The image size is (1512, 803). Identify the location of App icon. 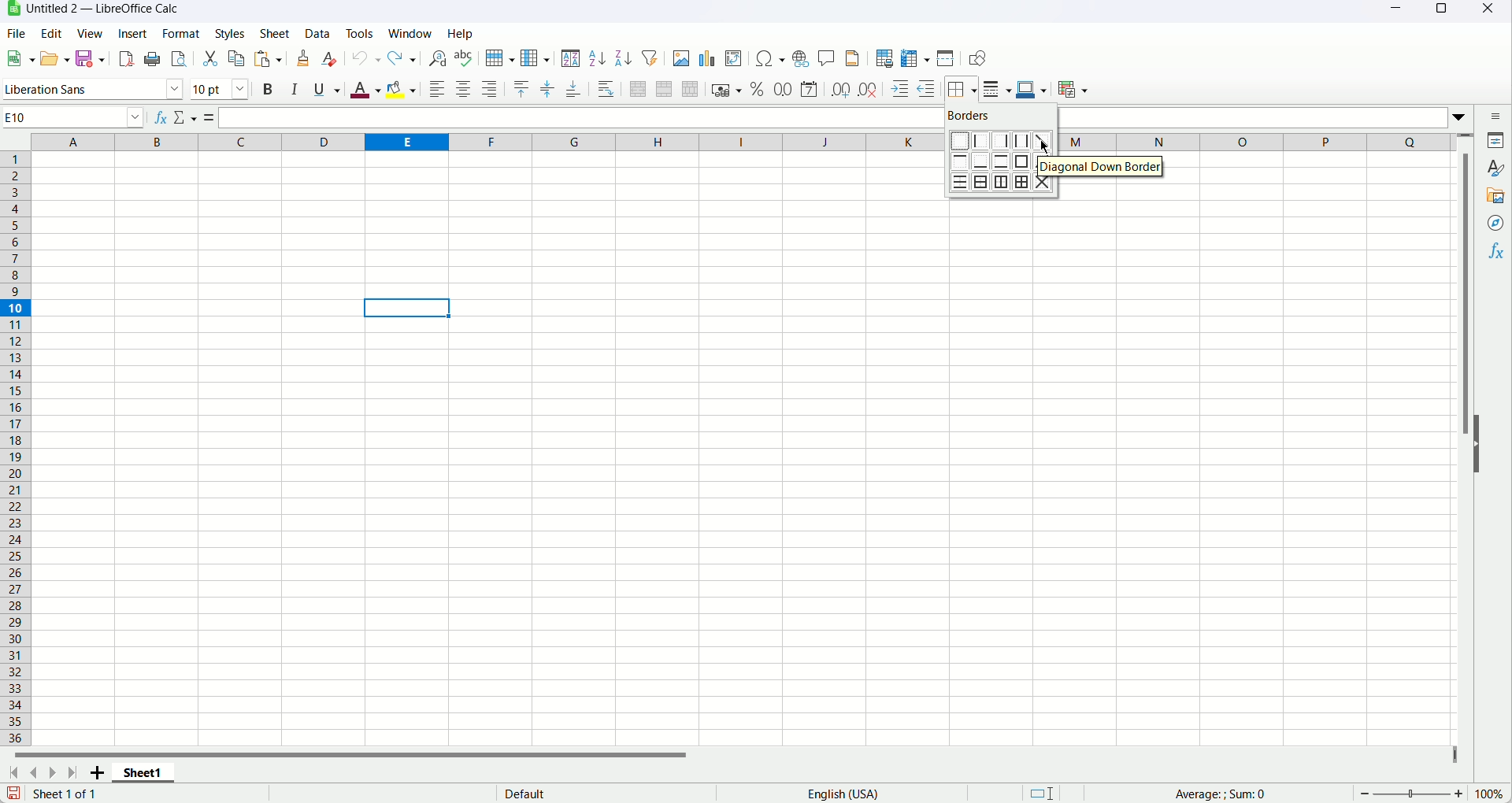
(11, 9).